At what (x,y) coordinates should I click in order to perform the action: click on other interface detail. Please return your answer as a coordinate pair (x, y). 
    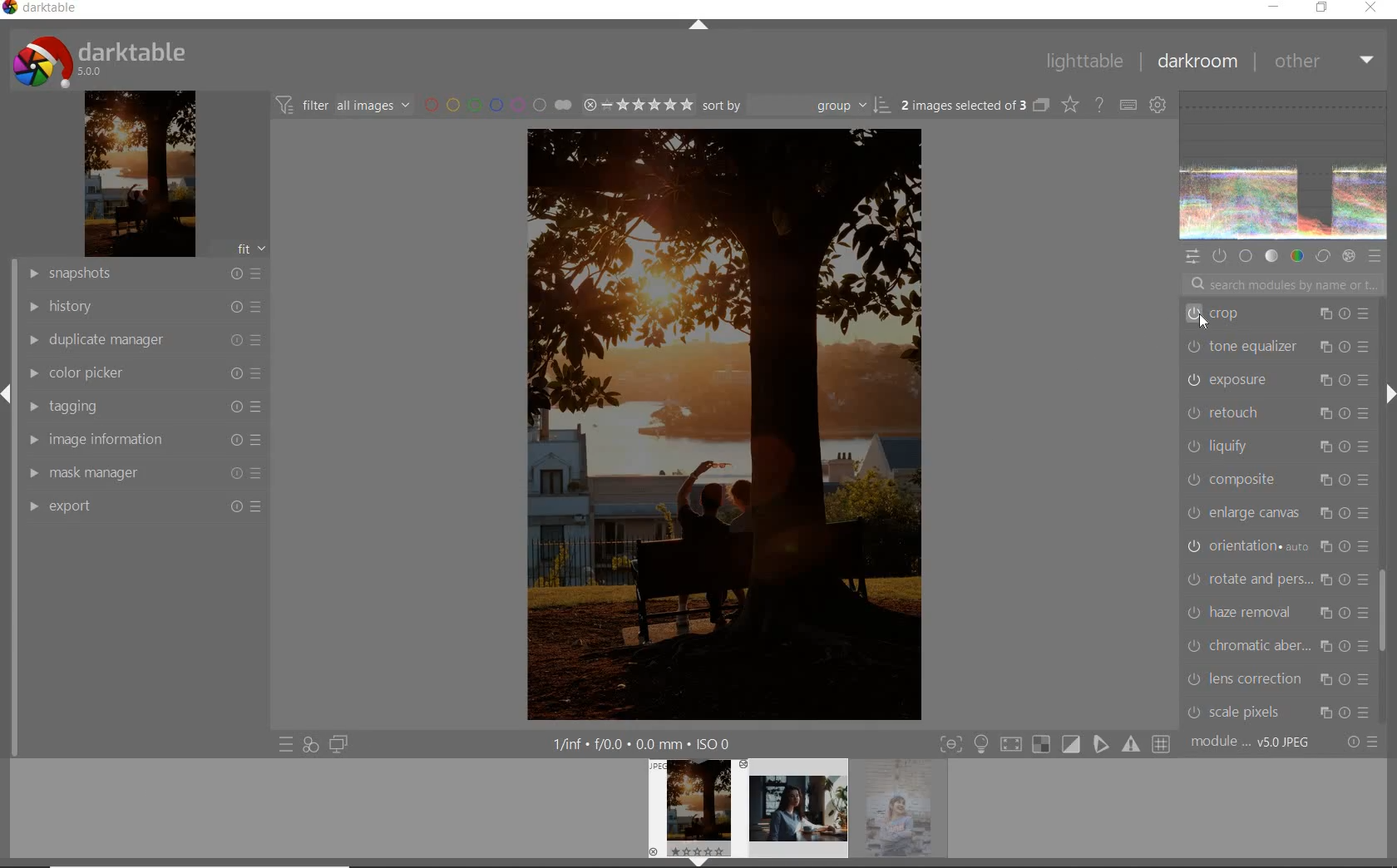
    Looking at the image, I should click on (646, 742).